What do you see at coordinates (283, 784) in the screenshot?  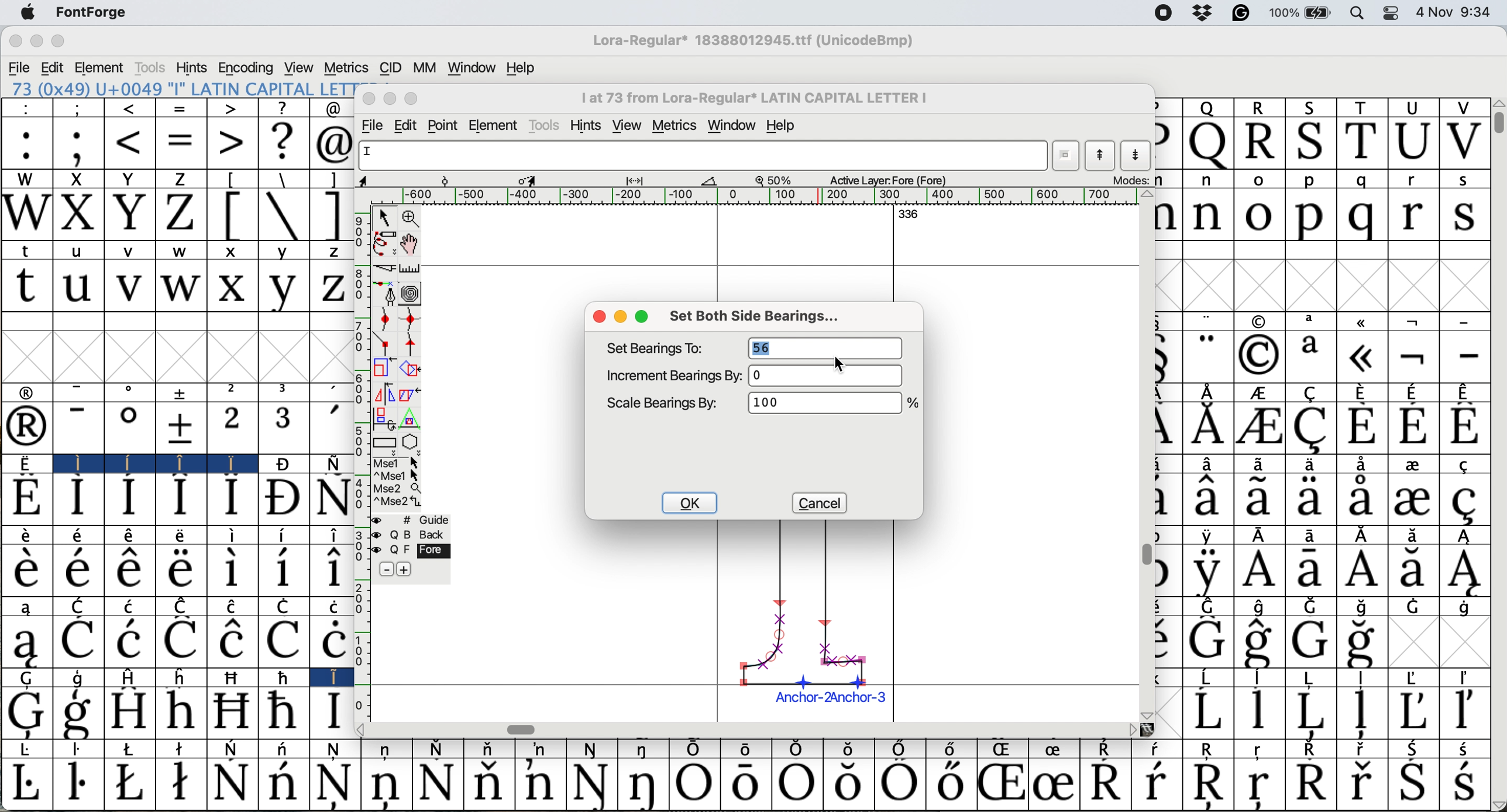 I see `Symbol` at bounding box center [283, 784].